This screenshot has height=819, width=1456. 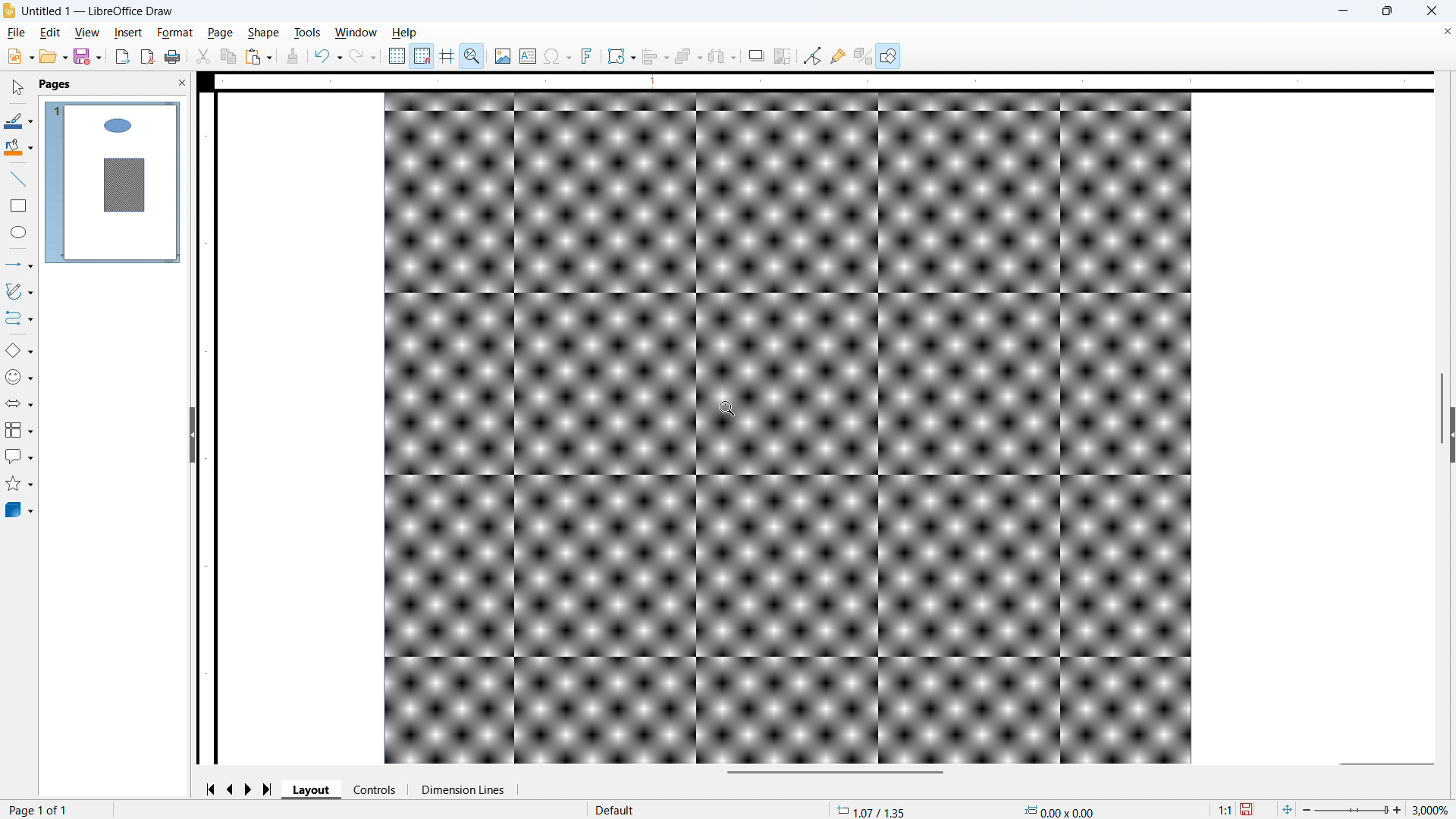 I want to click on maximise , so click(x=1386, y=11).